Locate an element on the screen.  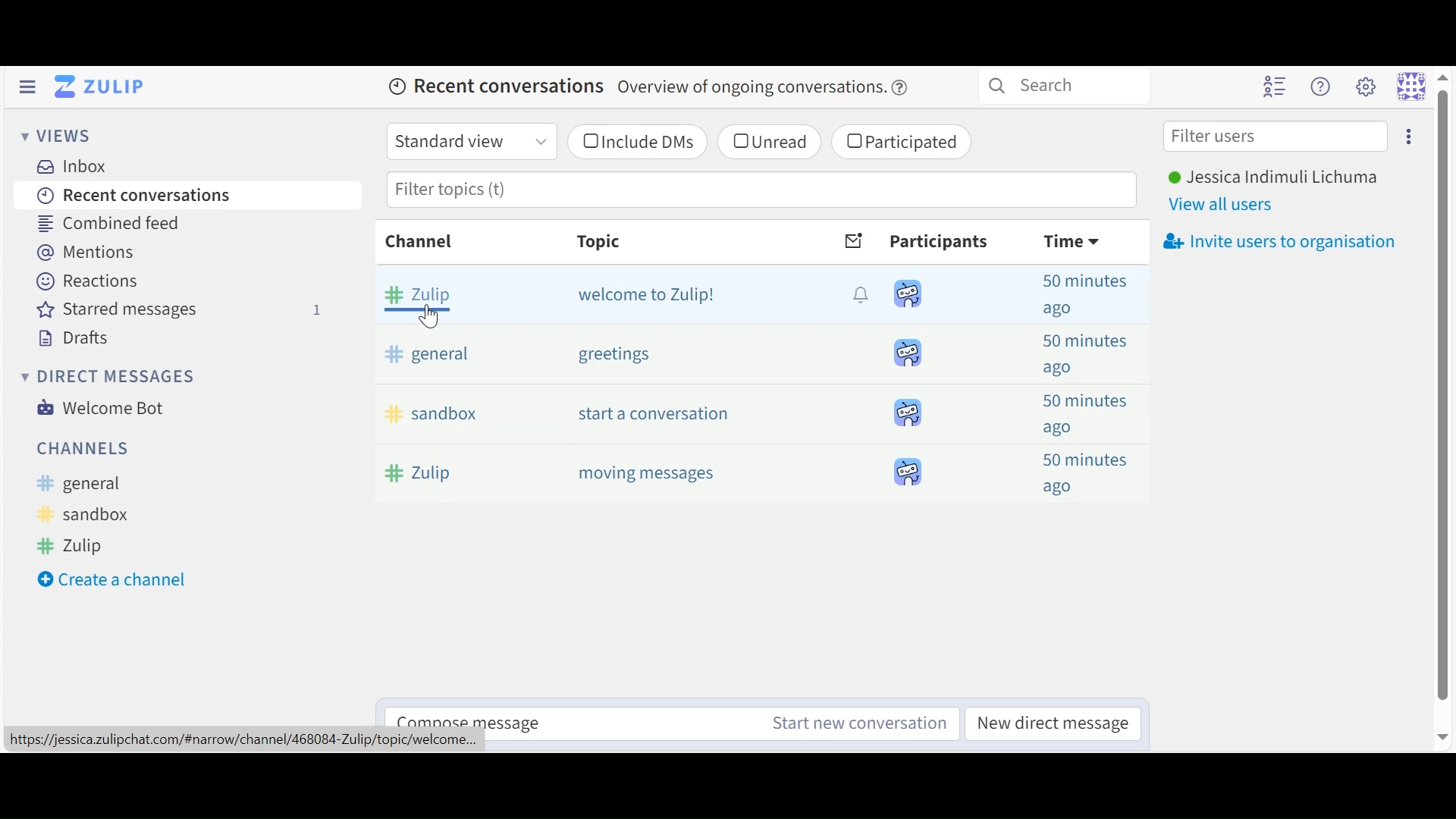
Reactions is located at coordinates (85, 282).